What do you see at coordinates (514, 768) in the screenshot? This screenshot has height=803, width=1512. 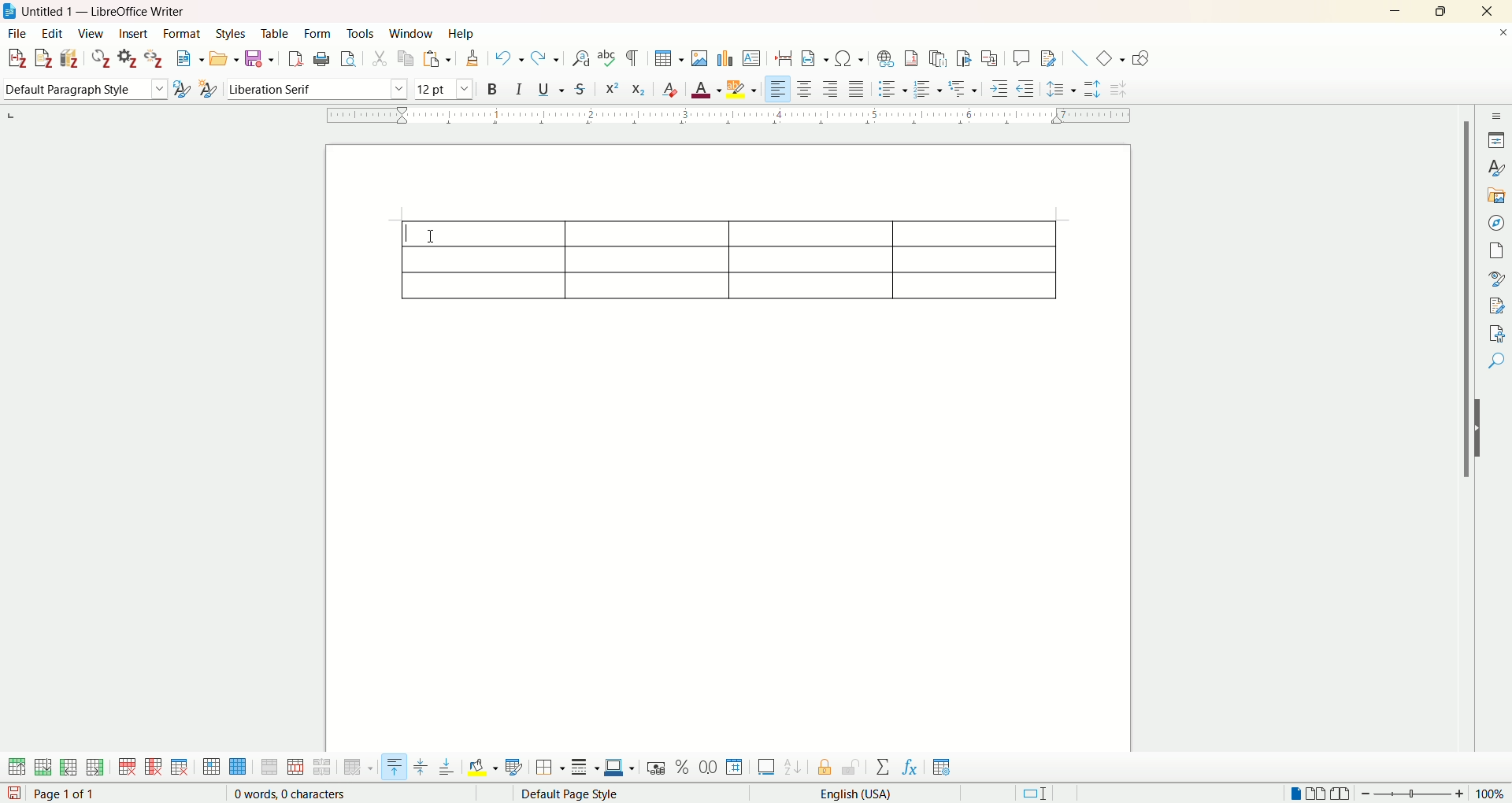 I see `auto format` at bounding box center [514, 768].